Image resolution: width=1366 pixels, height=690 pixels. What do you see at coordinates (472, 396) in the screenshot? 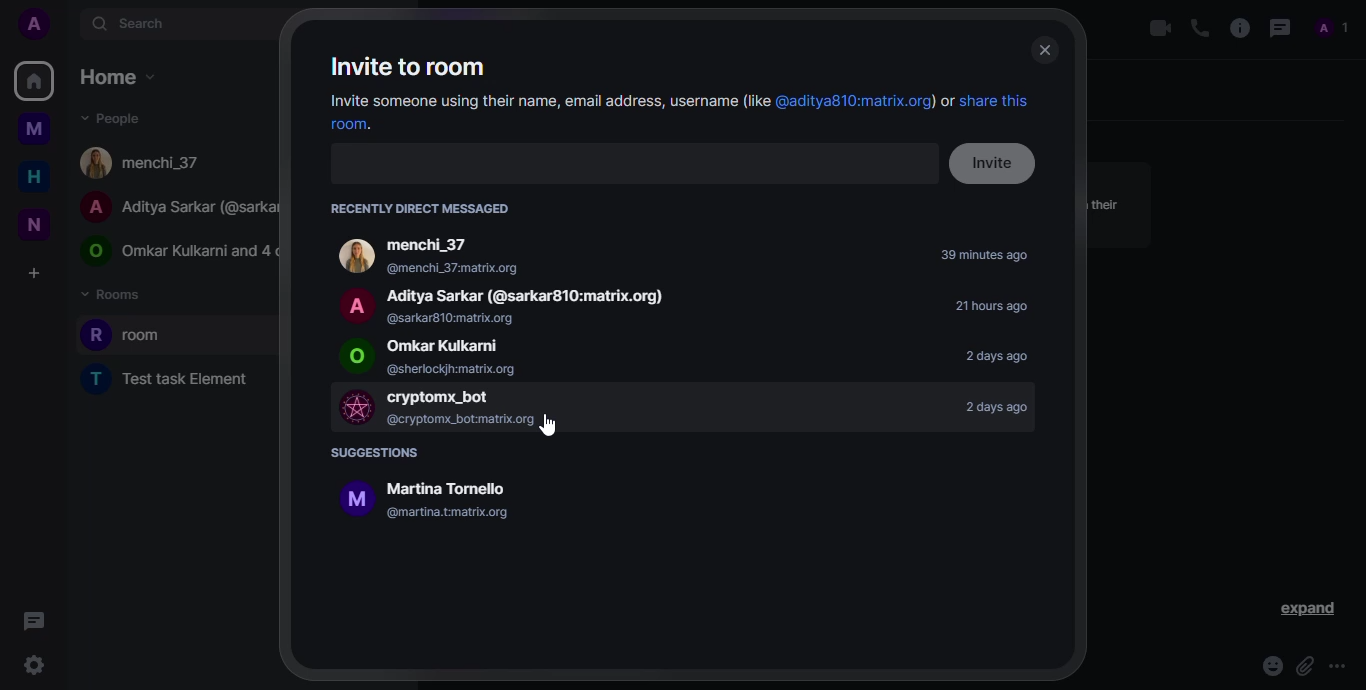
I see `cryptomx_bot` at bounding box center [472, 396].